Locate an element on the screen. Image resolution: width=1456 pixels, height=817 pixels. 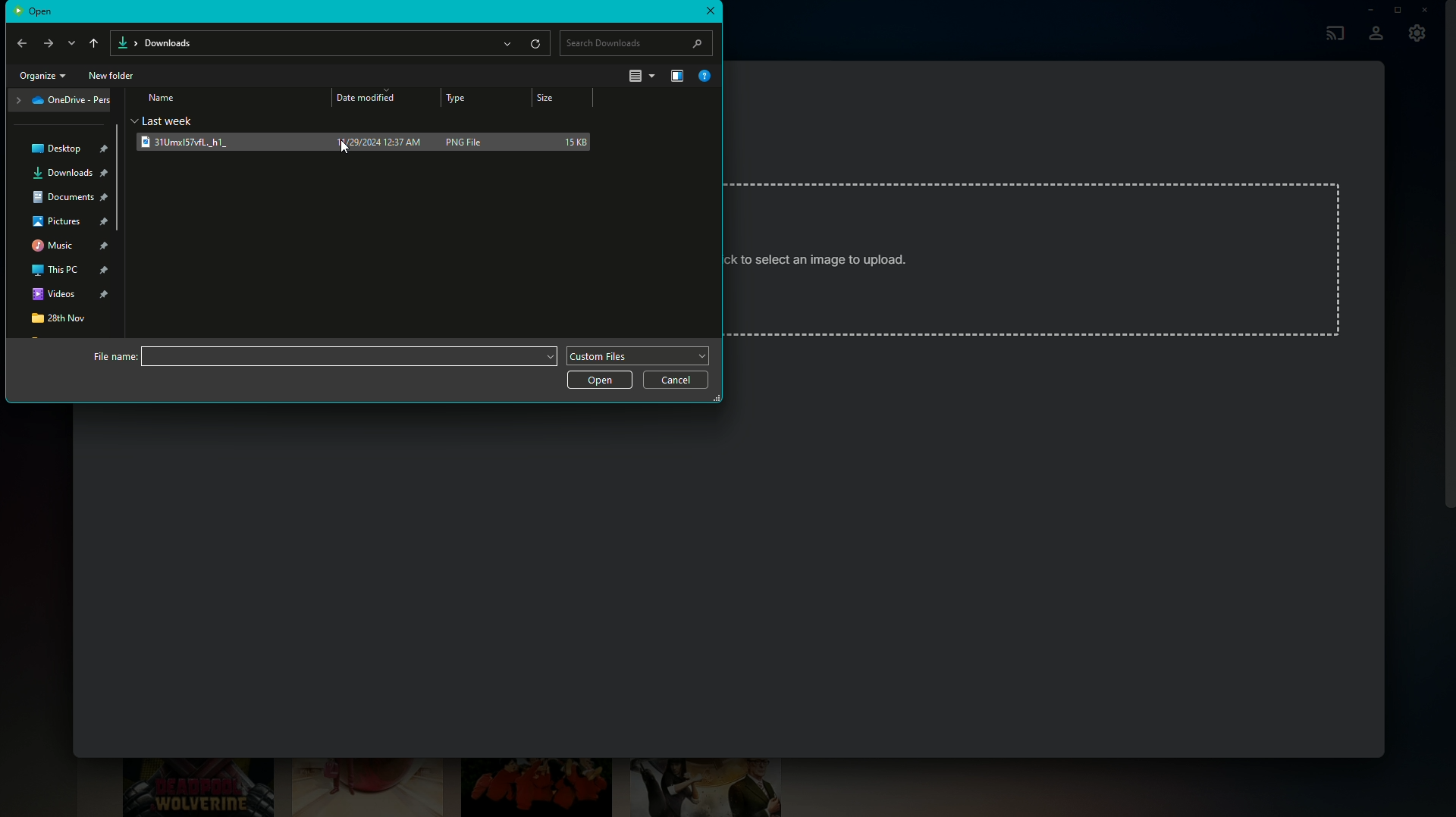
Cast is located at coordinates (1332, 31).